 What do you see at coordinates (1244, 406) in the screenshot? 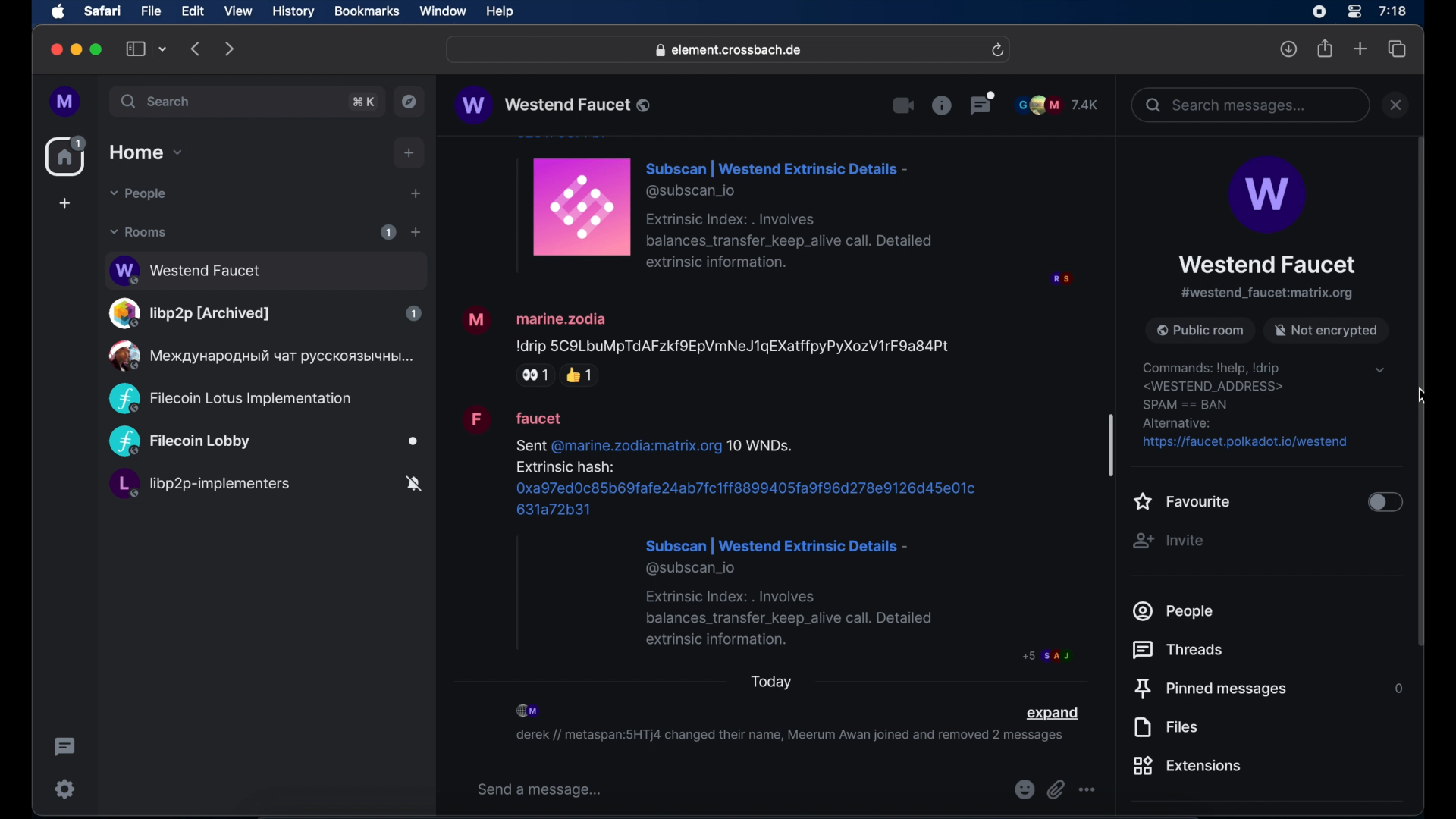
I see `url infor` at bounding box center [1244, 406].